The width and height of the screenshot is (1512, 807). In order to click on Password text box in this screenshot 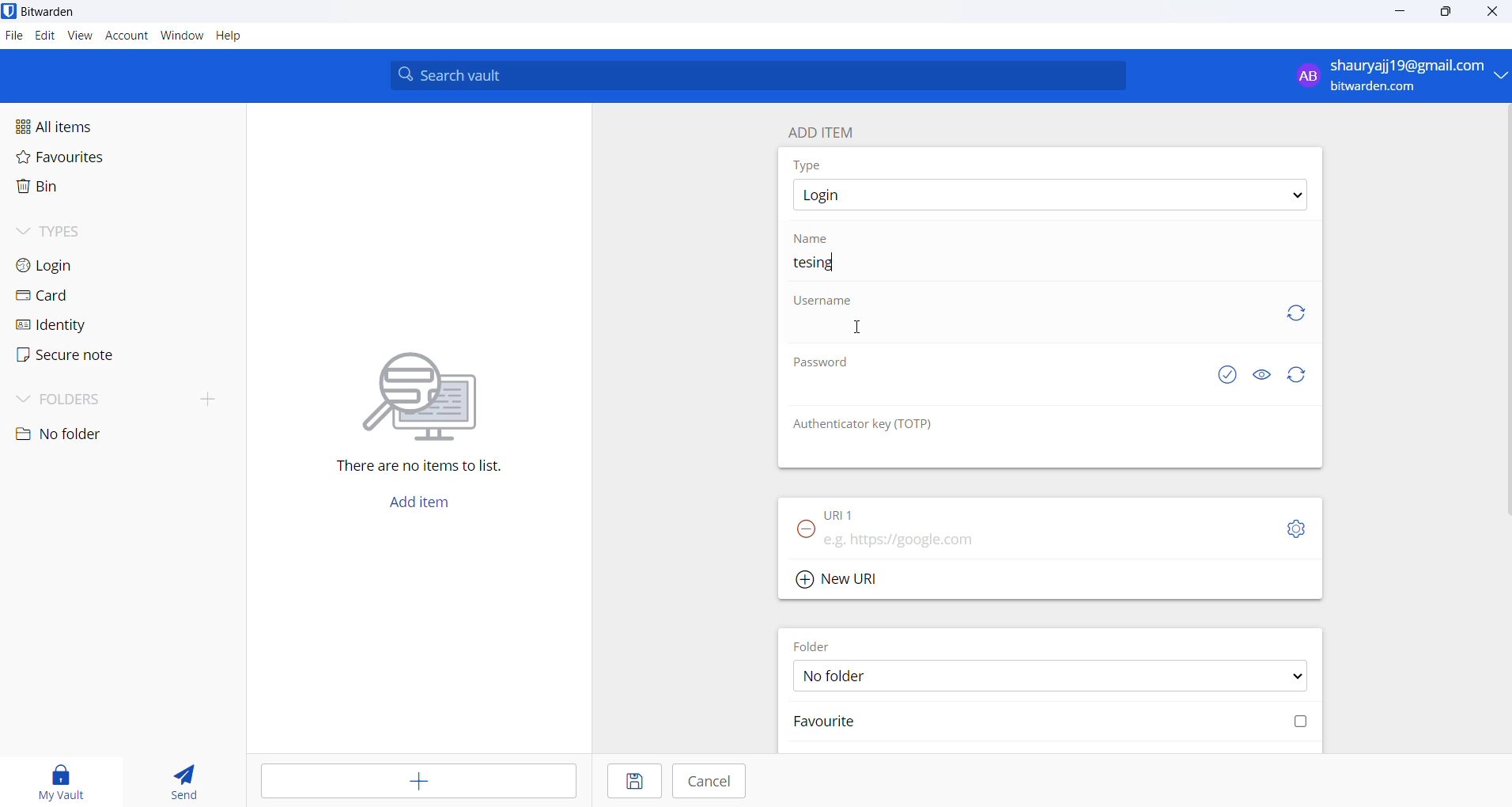, I will do `click(992, 396)`.